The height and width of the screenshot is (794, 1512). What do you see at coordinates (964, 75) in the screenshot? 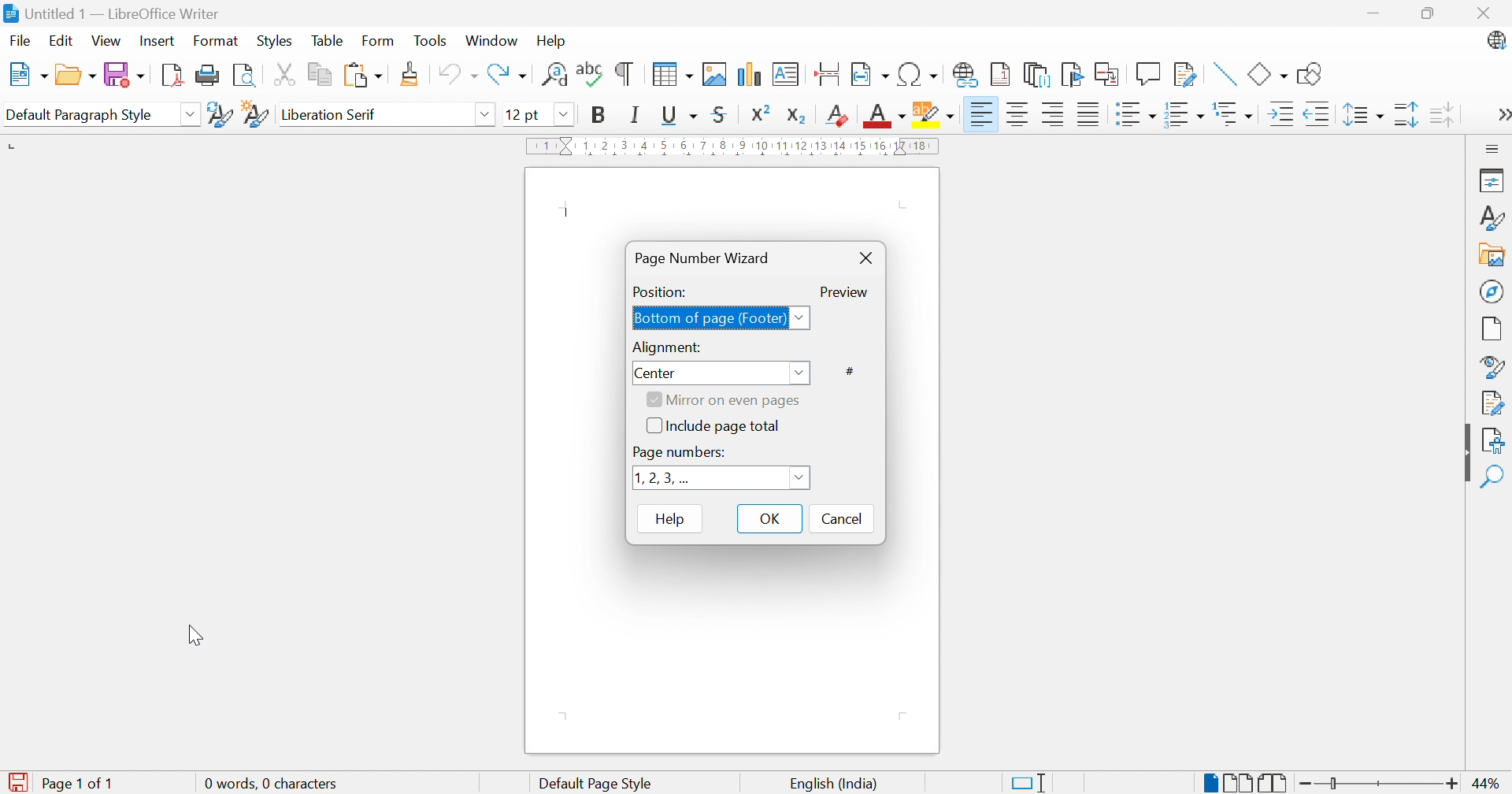
I see `Insert hyperlink` at bounding box center [964, 75].